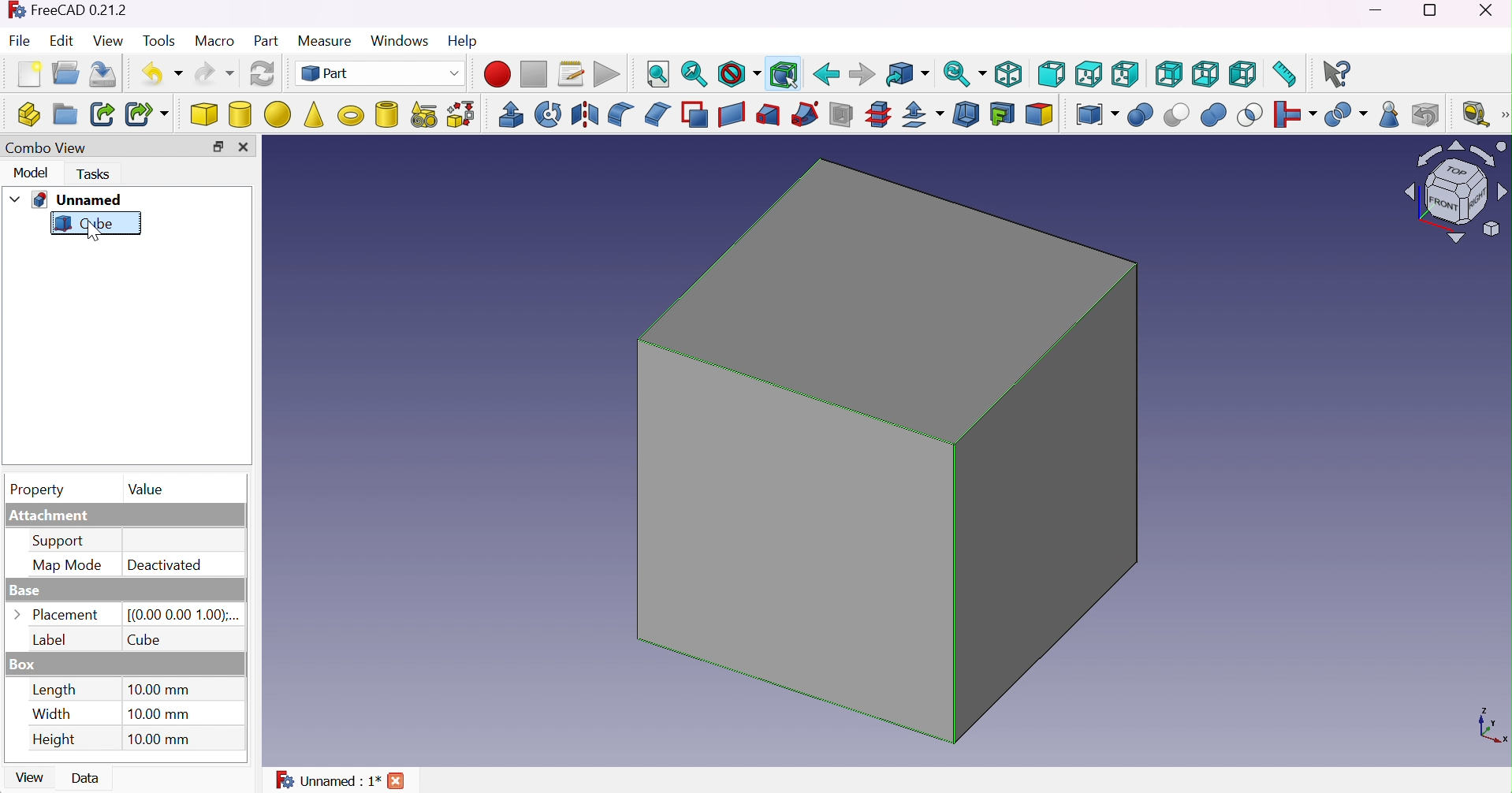 Image resolution: width=1512 pixels, height=793 pixels. Describe the element at coordinates (1205, 74) in the screenshot. I see `Bottom` at that location.